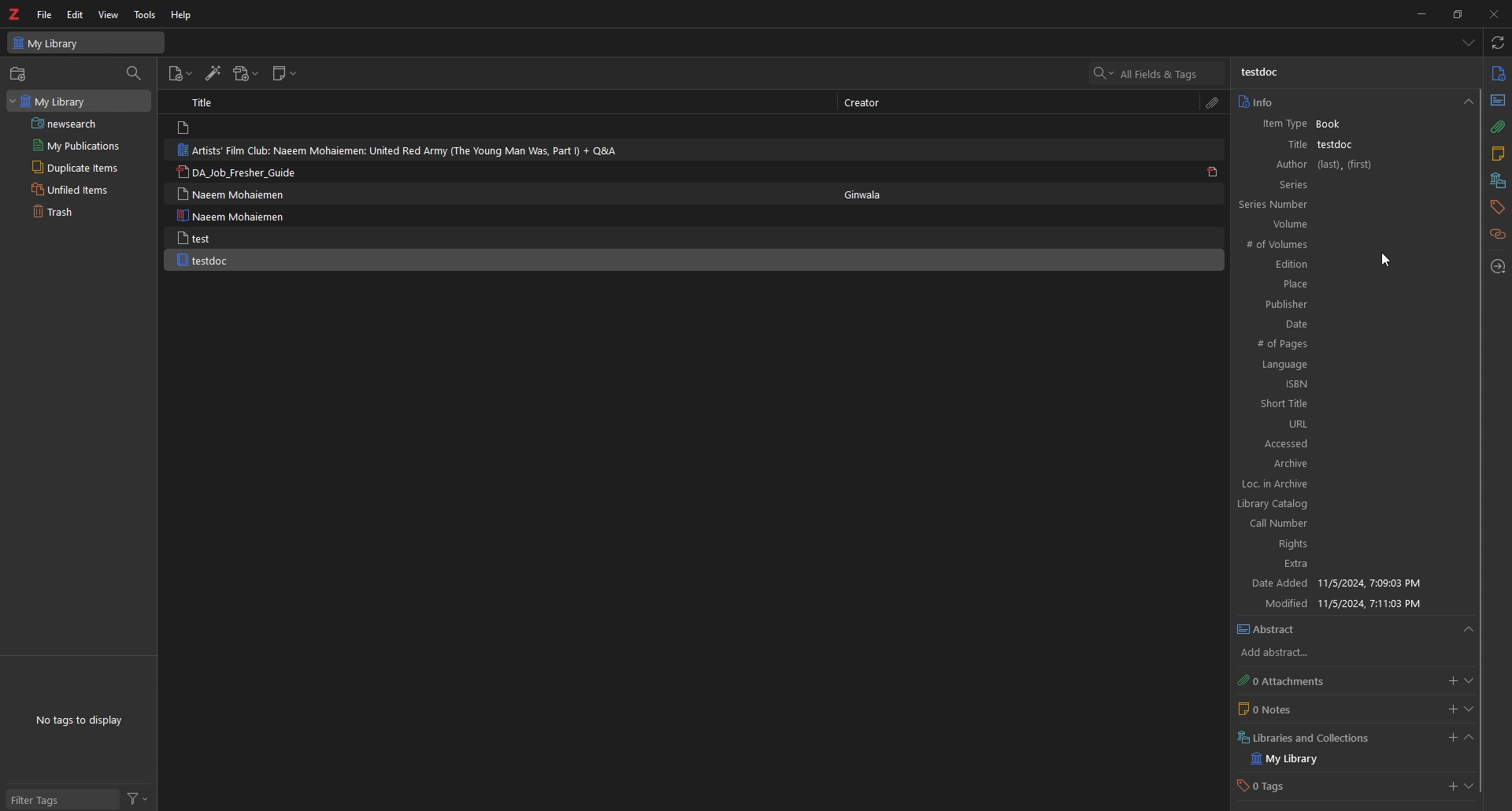  I want to click on info, so click(1498, 73).